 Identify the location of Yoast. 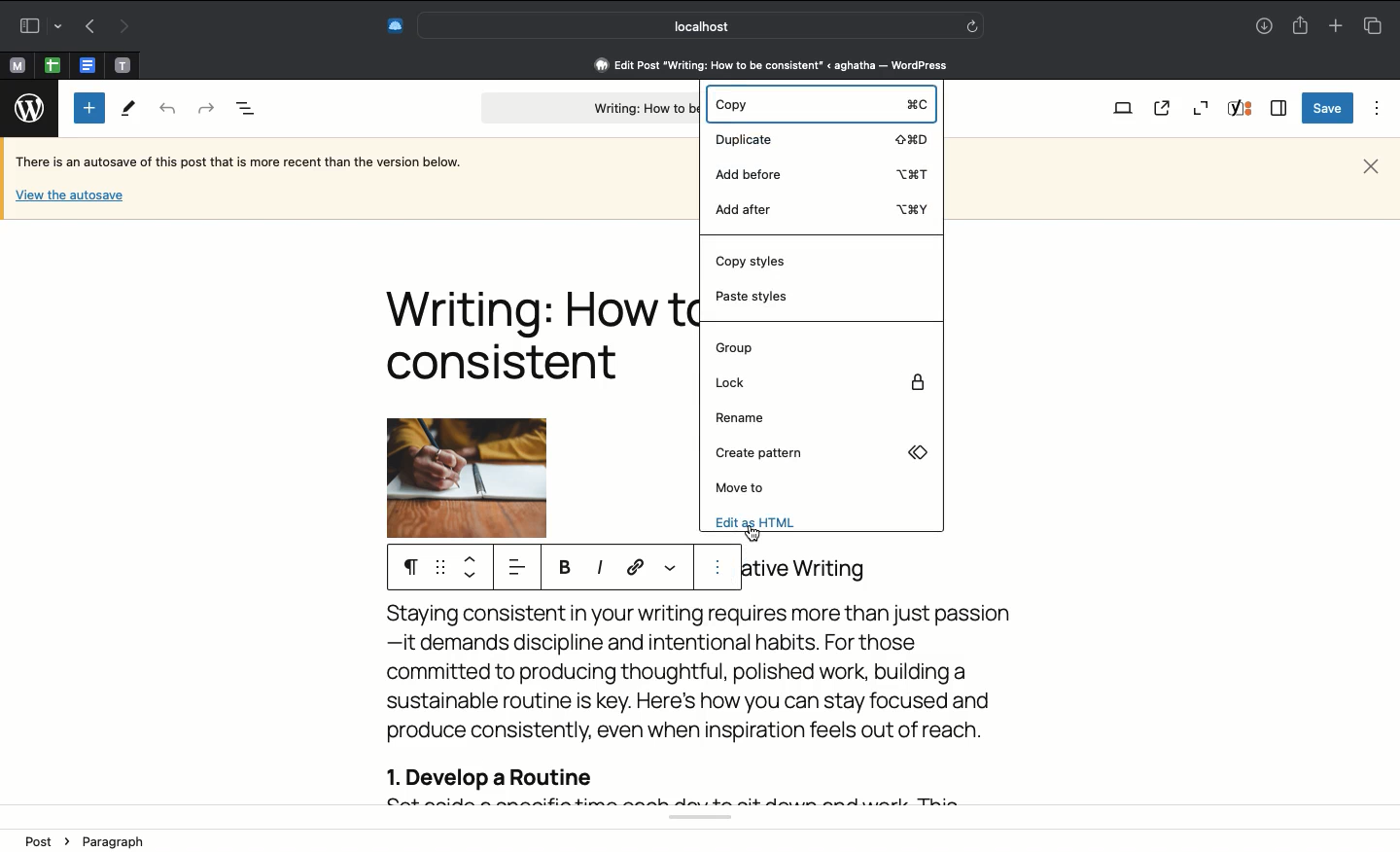
(1242, 110).